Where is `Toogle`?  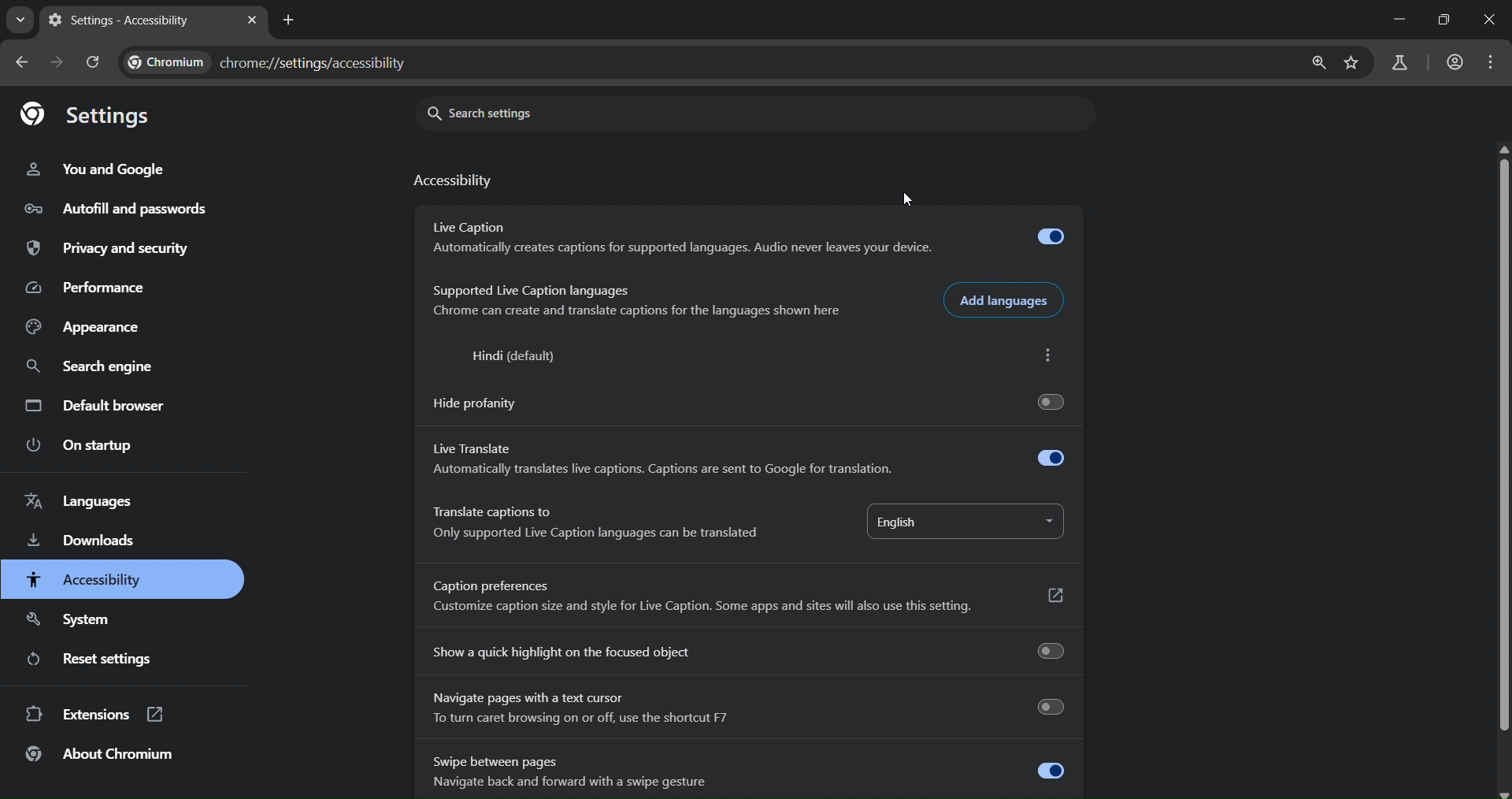
Toogle is located at coordinates (1047, 705).